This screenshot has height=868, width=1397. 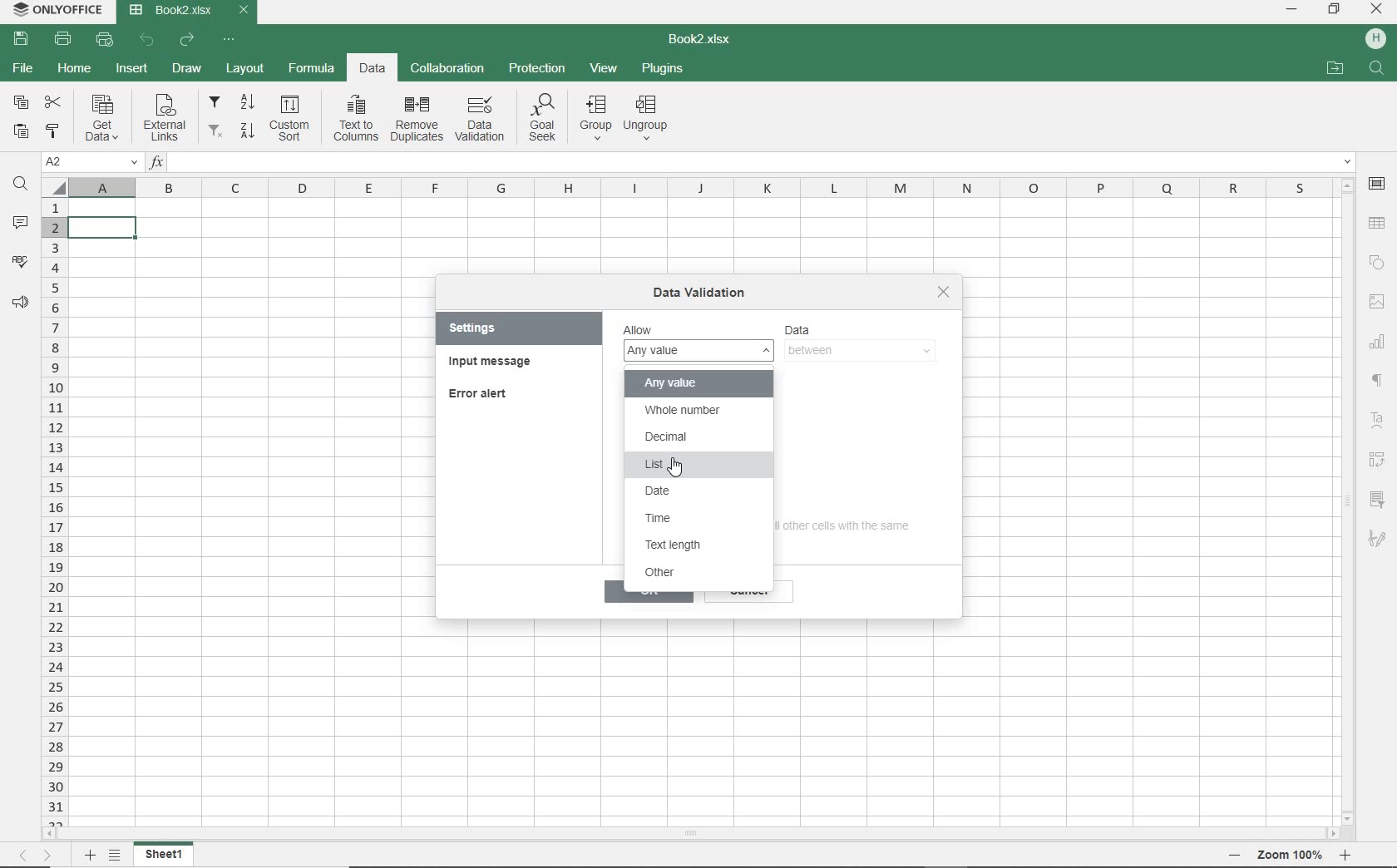 I want to click on remove duplicates, so click(x=418, y=116).